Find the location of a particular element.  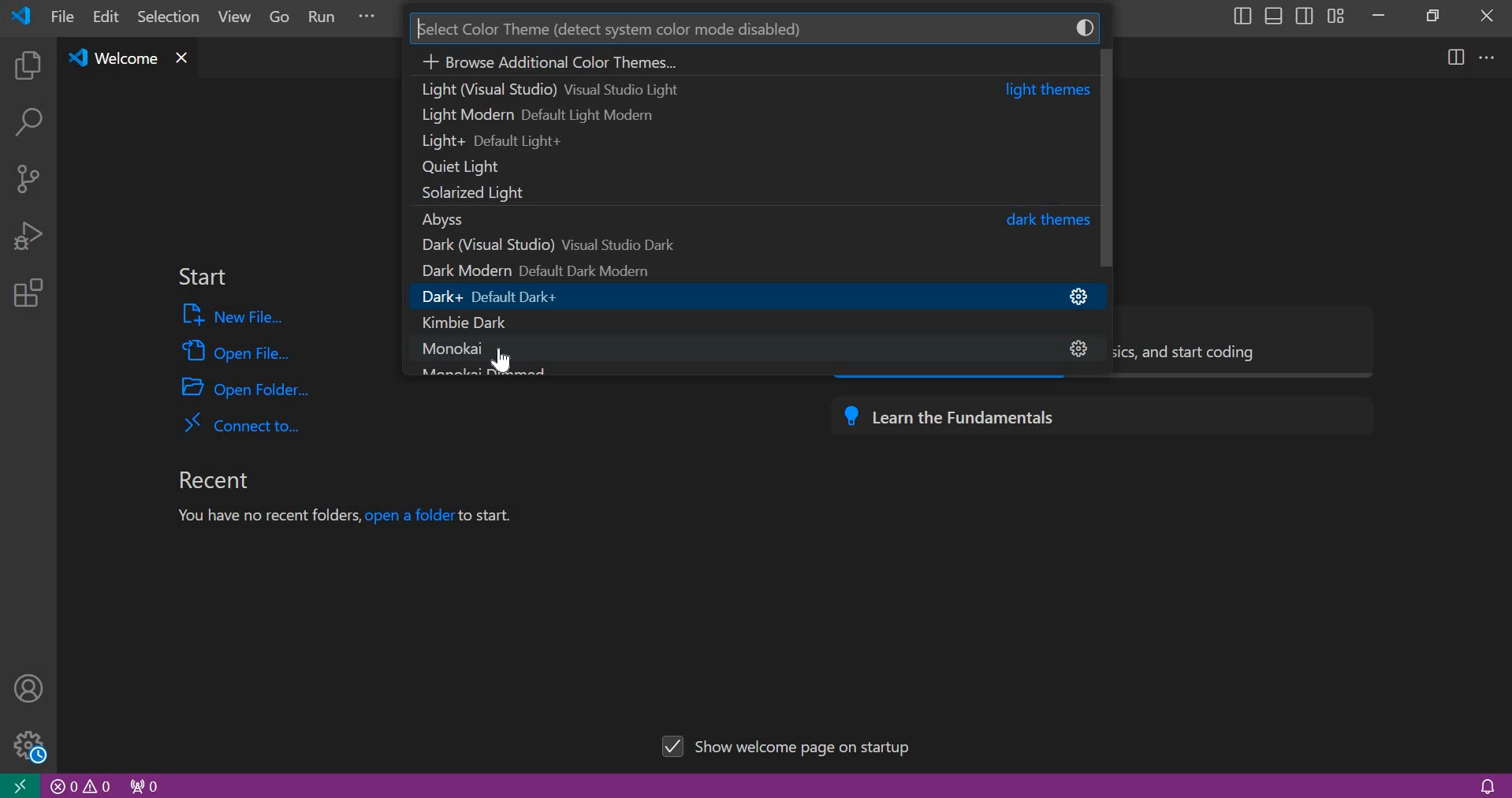

expand is located at coordinates (367, 19).